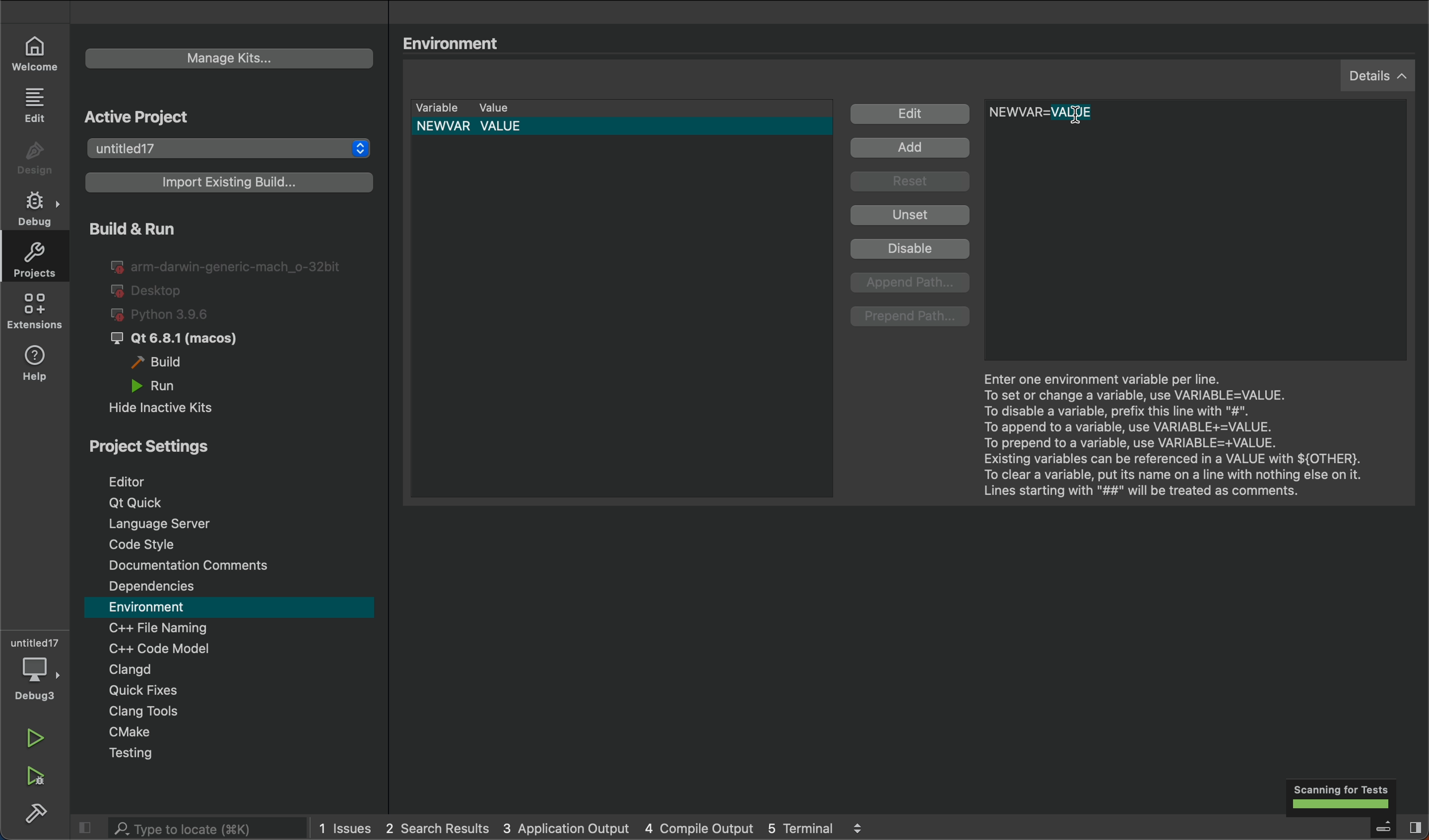  Describe the element at coordinates (629, 126) in the screenshot. I see `default variable` at that location.